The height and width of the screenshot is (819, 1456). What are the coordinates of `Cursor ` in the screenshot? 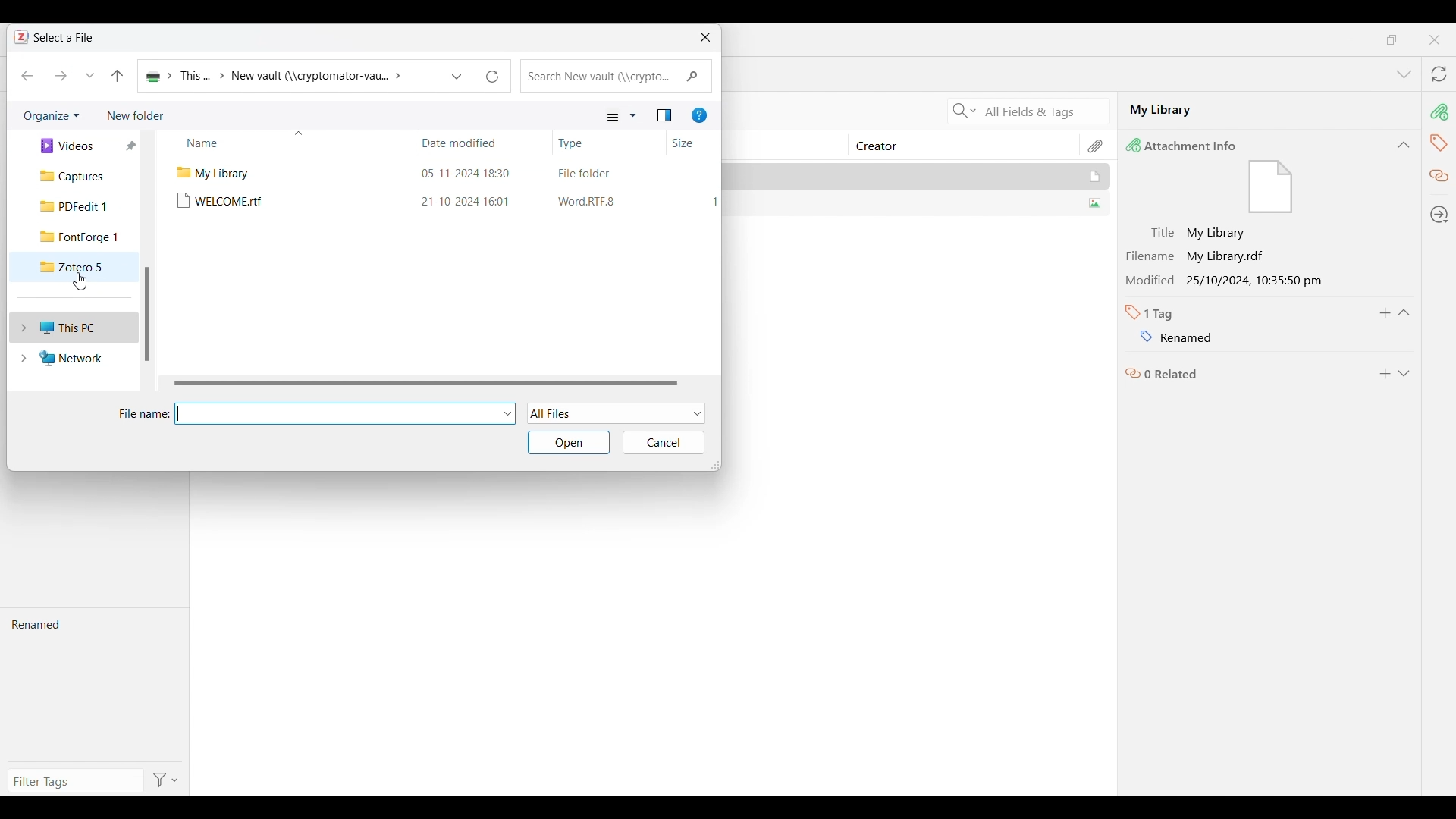 It's located at (79, 282).